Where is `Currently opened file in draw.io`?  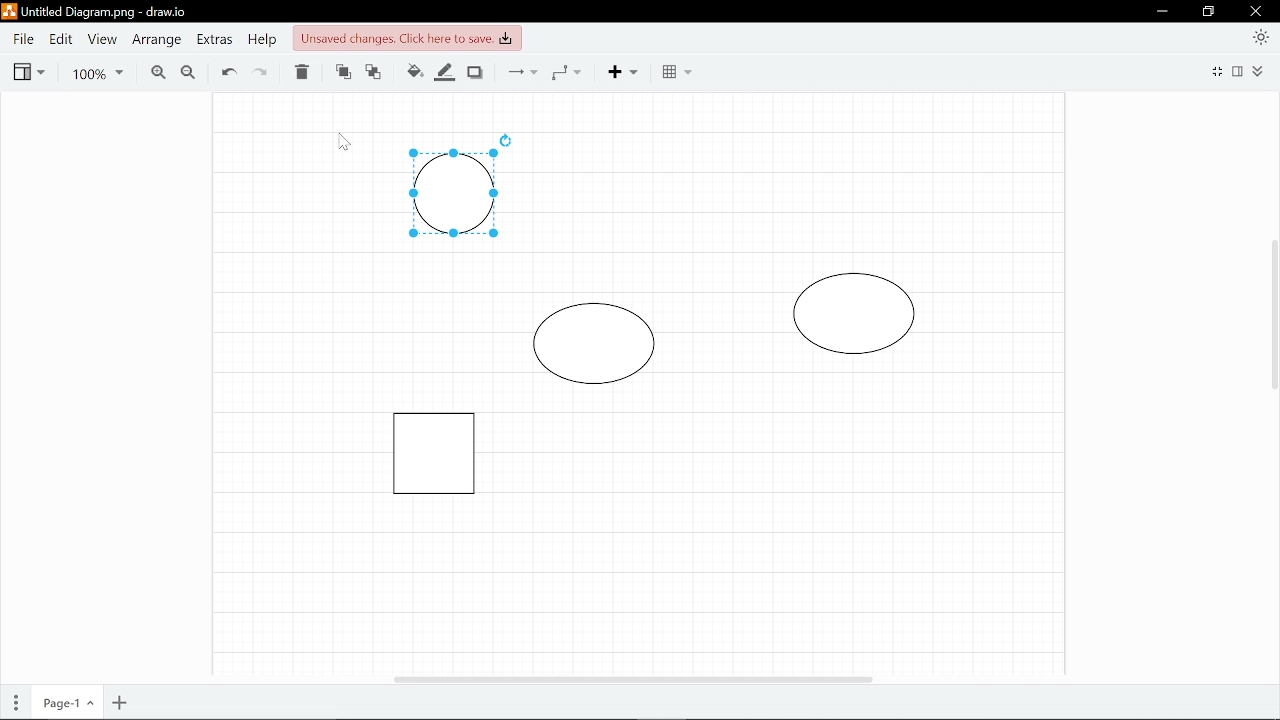 Currently opened file in draw.io is located at coordinates (98, 13).